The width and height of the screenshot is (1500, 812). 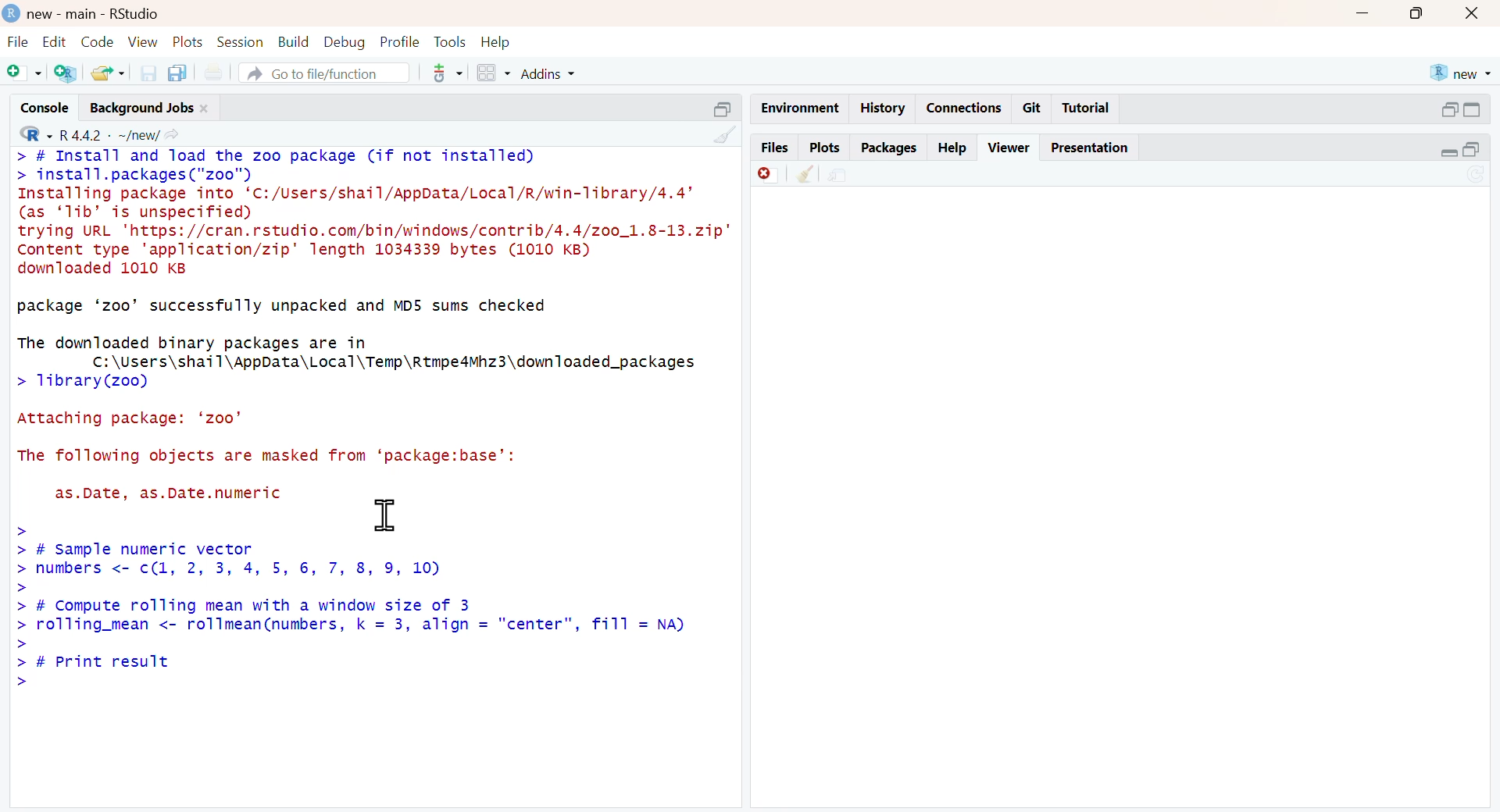 What do you see at coordinates (1450, 109) in the screenshot?
I see `open in separate window` at bounding box center [1450, 109].